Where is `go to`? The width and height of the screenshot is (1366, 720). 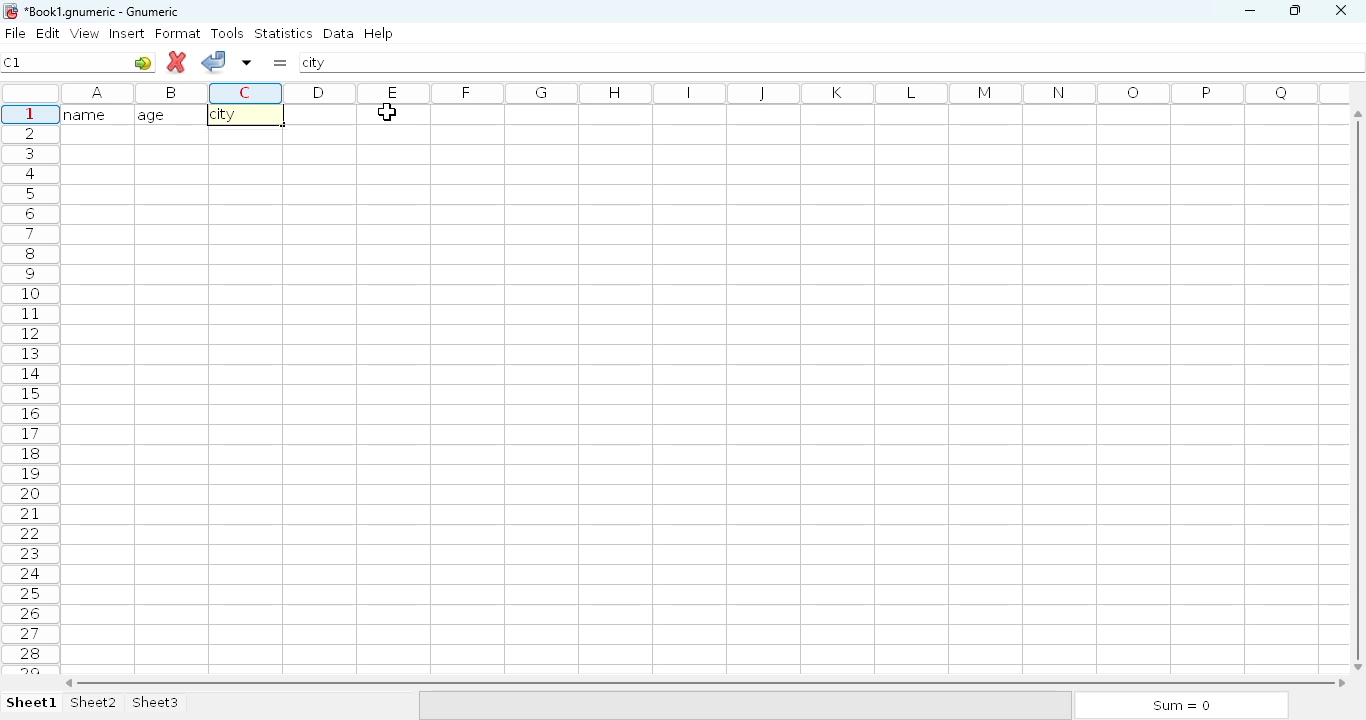
go to is located at coordinates (143, 62).